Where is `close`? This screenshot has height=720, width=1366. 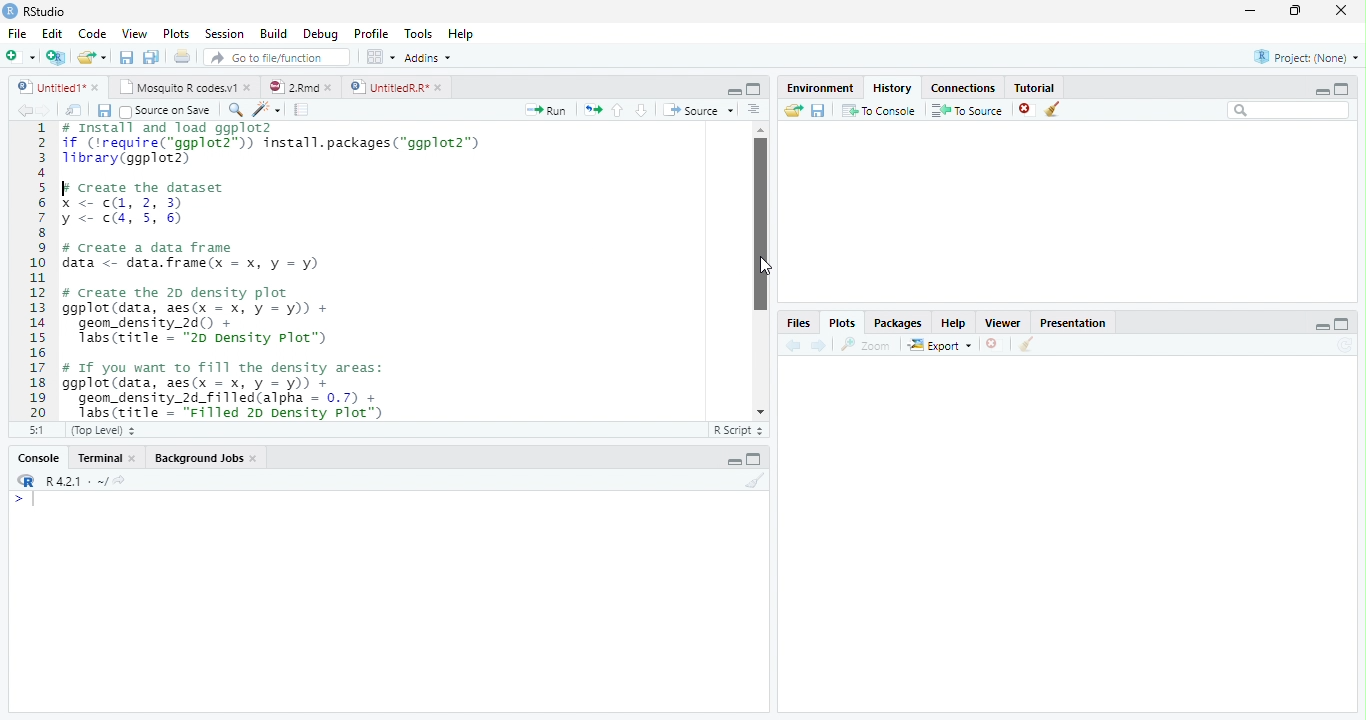 close is located at coordinates (1026, 110).